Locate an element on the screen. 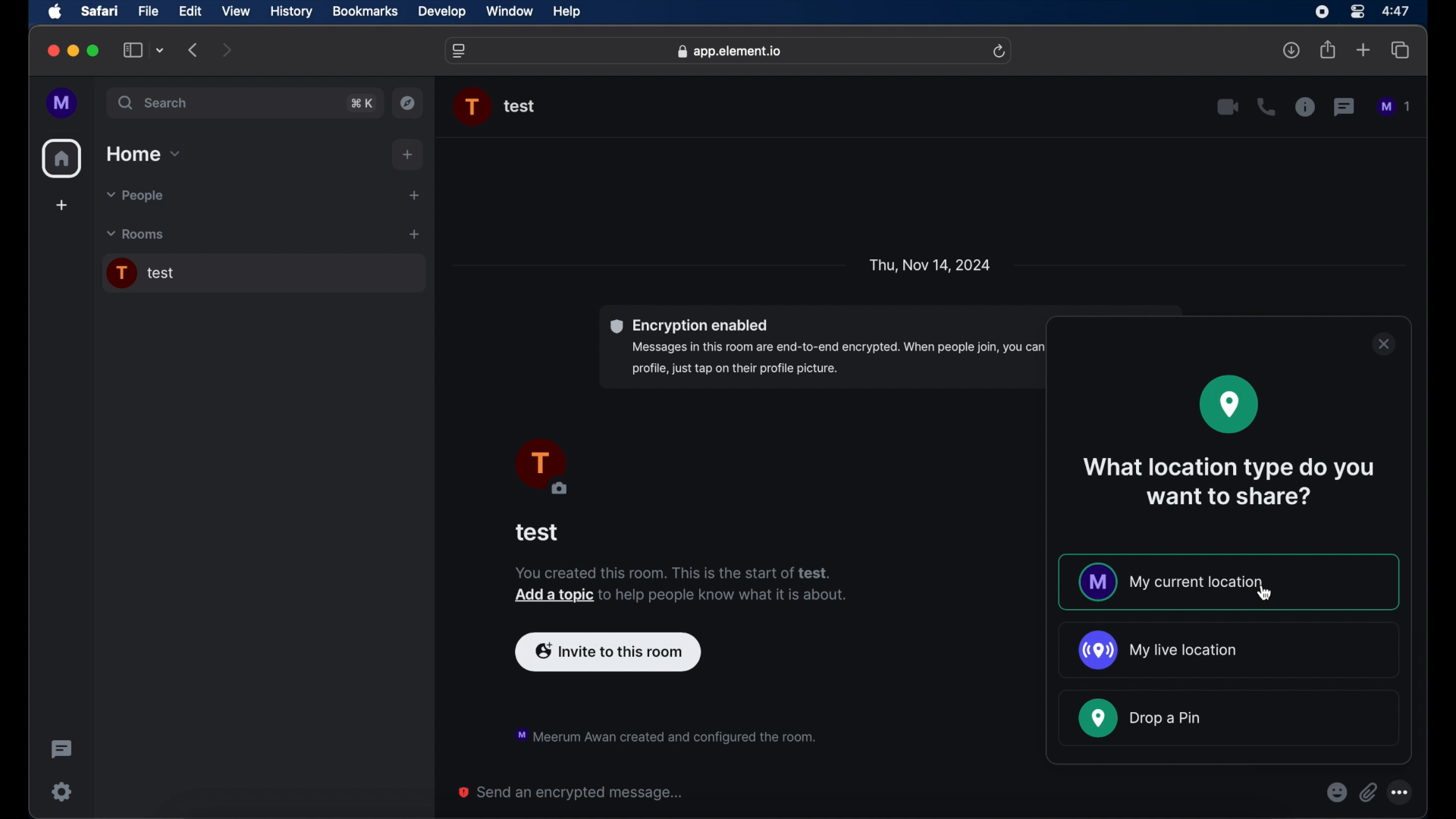 Image resolution: width=1456 pixels, height=819 pixels. profile picture is located at coordinates (473, 107).